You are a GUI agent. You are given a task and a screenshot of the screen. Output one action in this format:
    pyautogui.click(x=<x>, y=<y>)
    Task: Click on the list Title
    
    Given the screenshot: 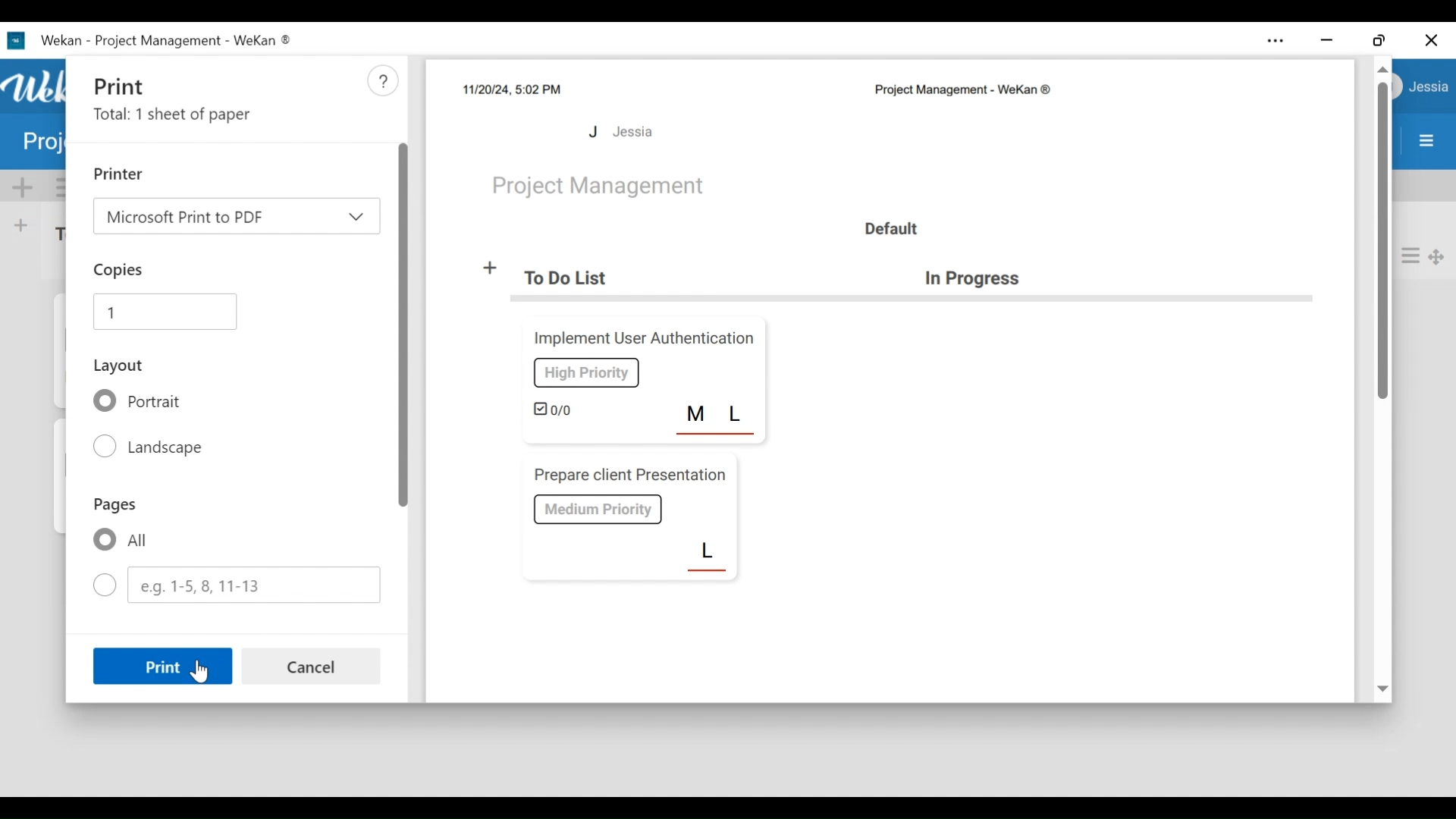 What is the action you would take?
    pyautogui.click(x=570, y=278)
    